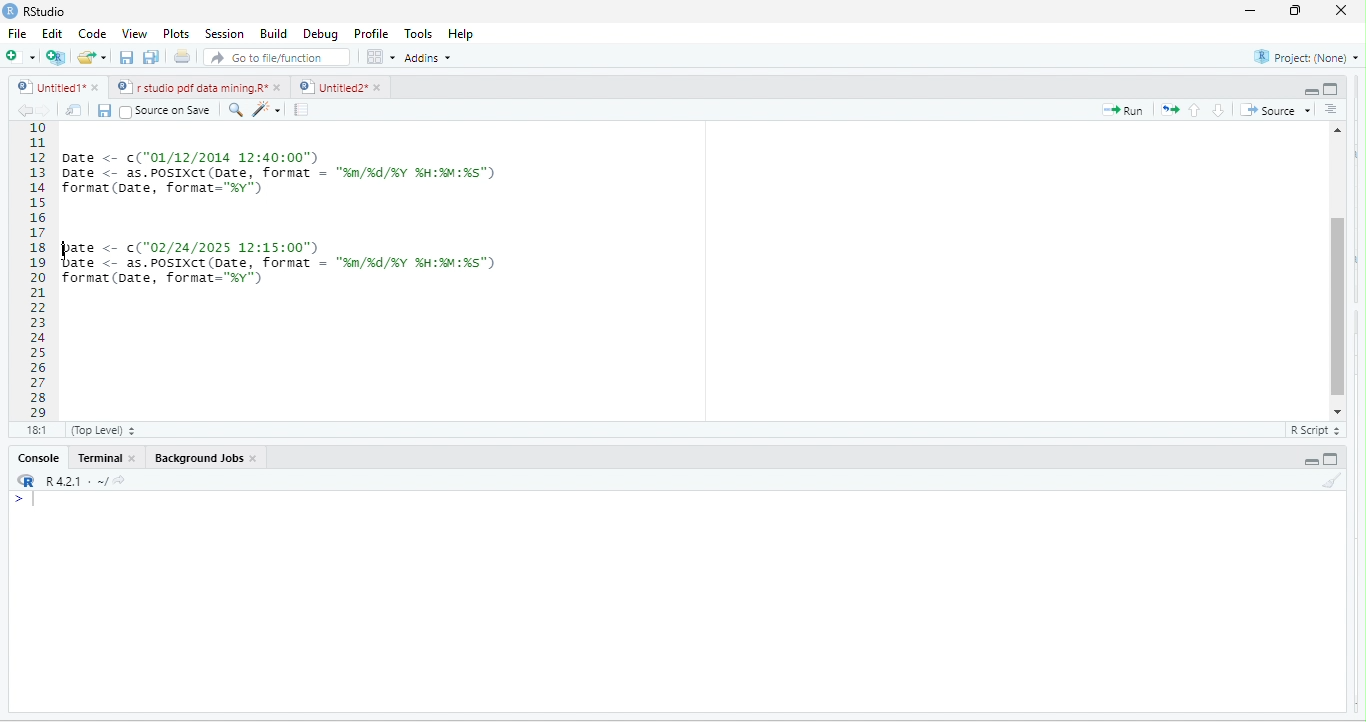 The width and height of the screenshot is (1366, 722). What do you see at coordinates (1219, 110) in the screenshot?
I see `go to next section/chunk` at bounding box center [1219, 110].